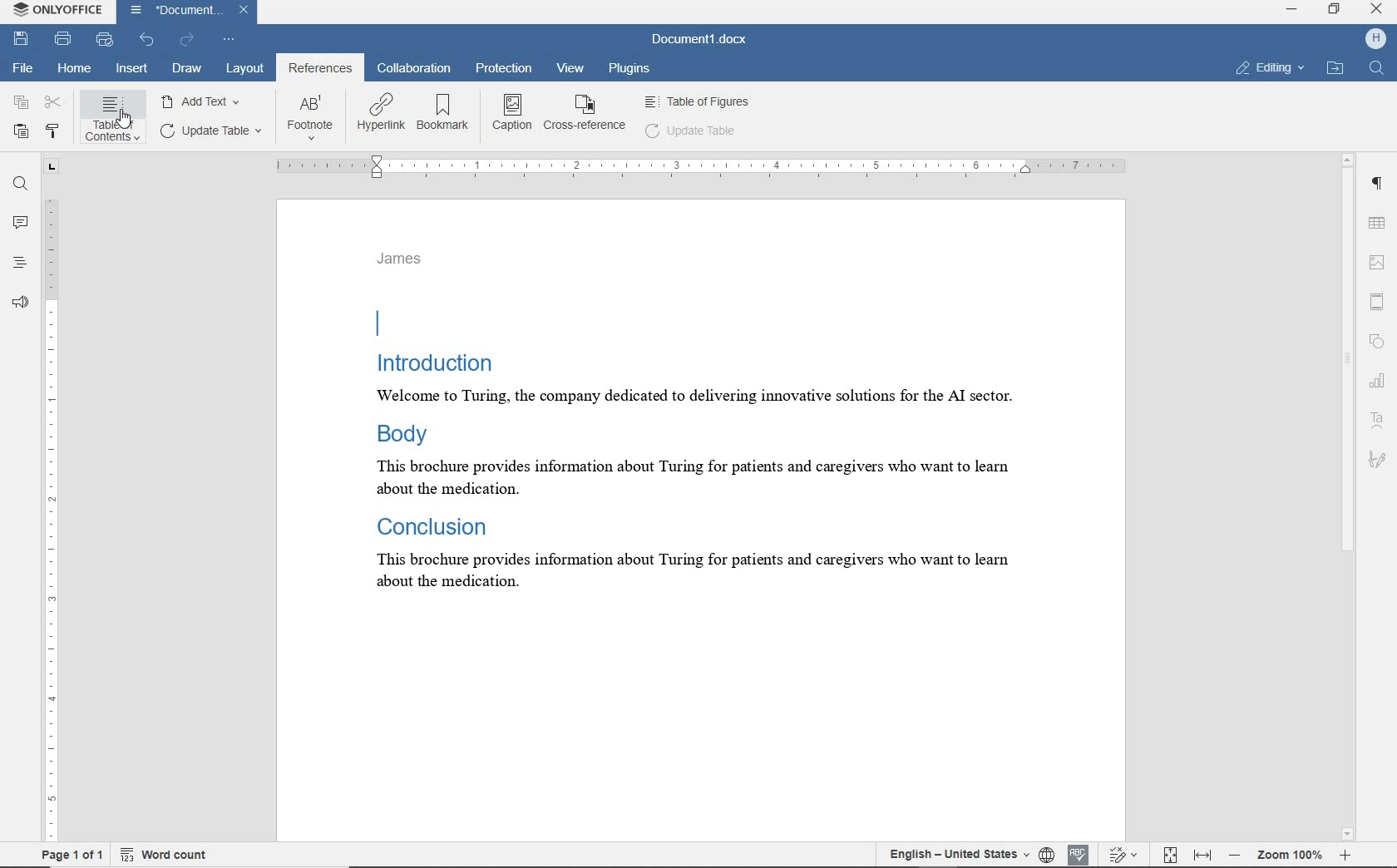  What do you see at coordinates (187, 70) in the screenshot?
I see `draw` at bounding box center [187, 70].